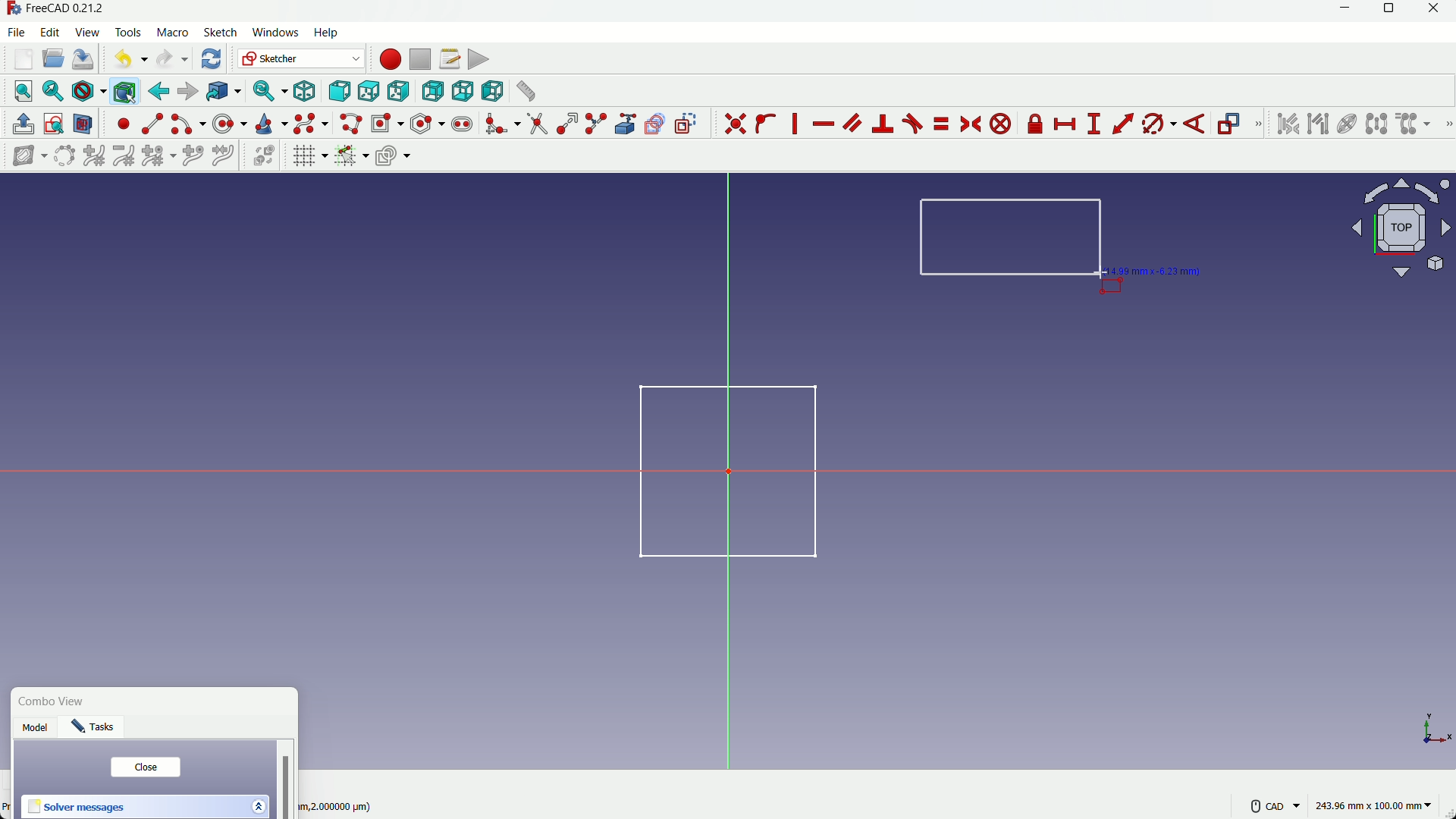 Image resolution: width=1456 pixels, height=819 pixels. I want to click on symmetry, so click(1376, 124).